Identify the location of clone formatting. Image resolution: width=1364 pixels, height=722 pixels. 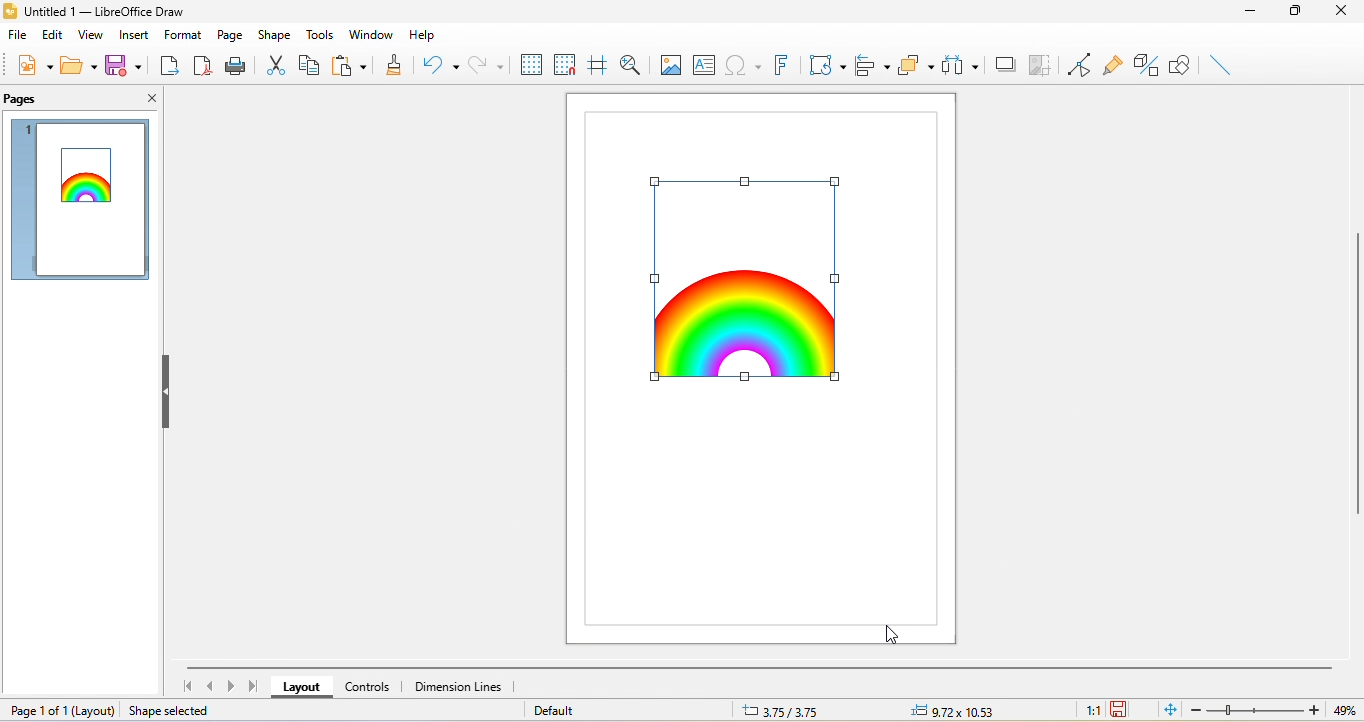
(394, 68).